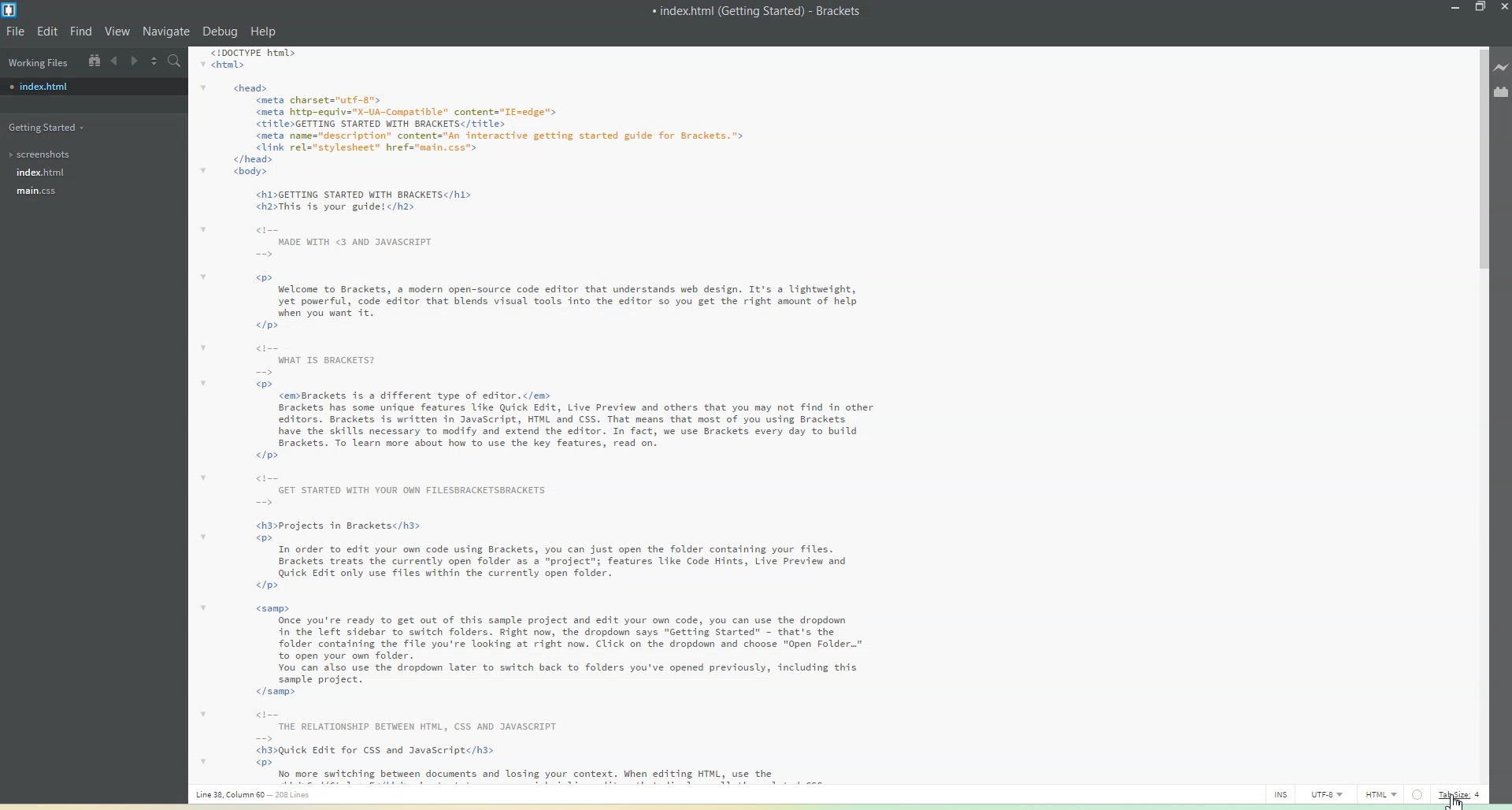 This screenshot has height=810, width=1512. I want to click on Working files, so click(37, 61).